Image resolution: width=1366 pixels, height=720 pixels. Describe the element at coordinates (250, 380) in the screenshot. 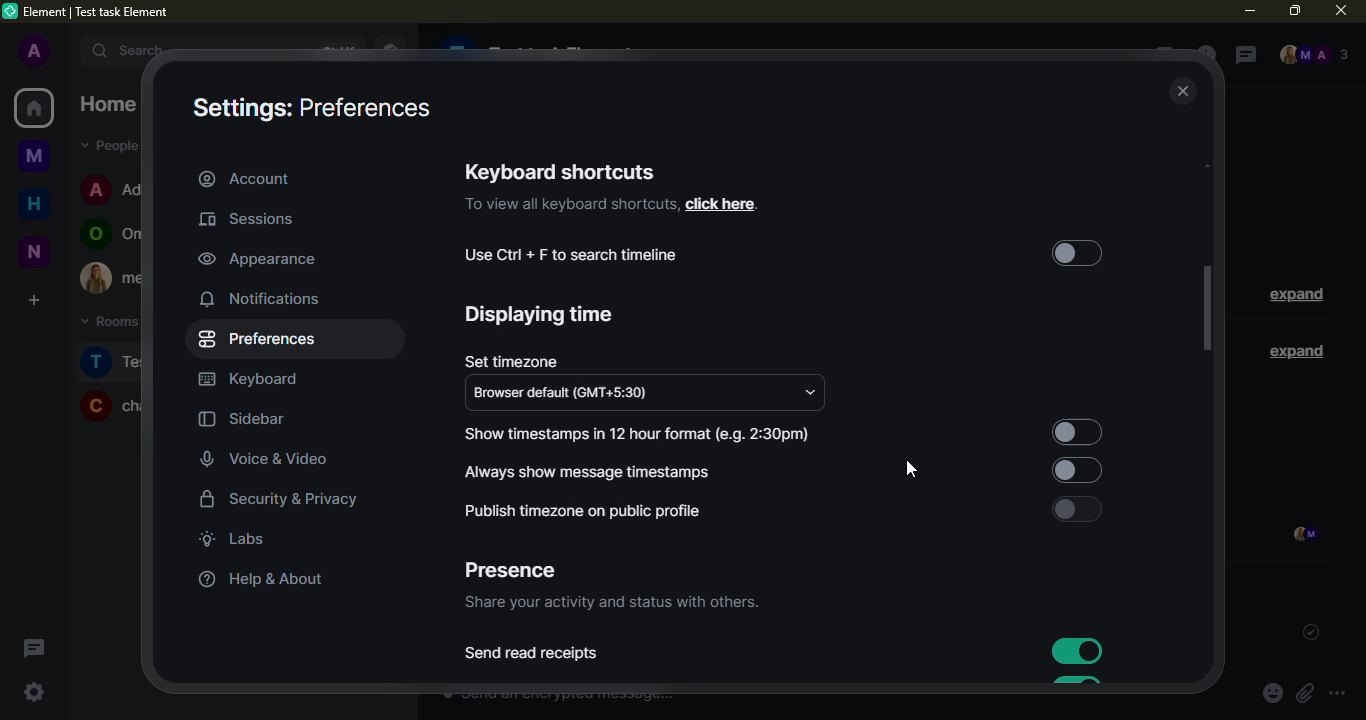

I see `keyboard` at that location.